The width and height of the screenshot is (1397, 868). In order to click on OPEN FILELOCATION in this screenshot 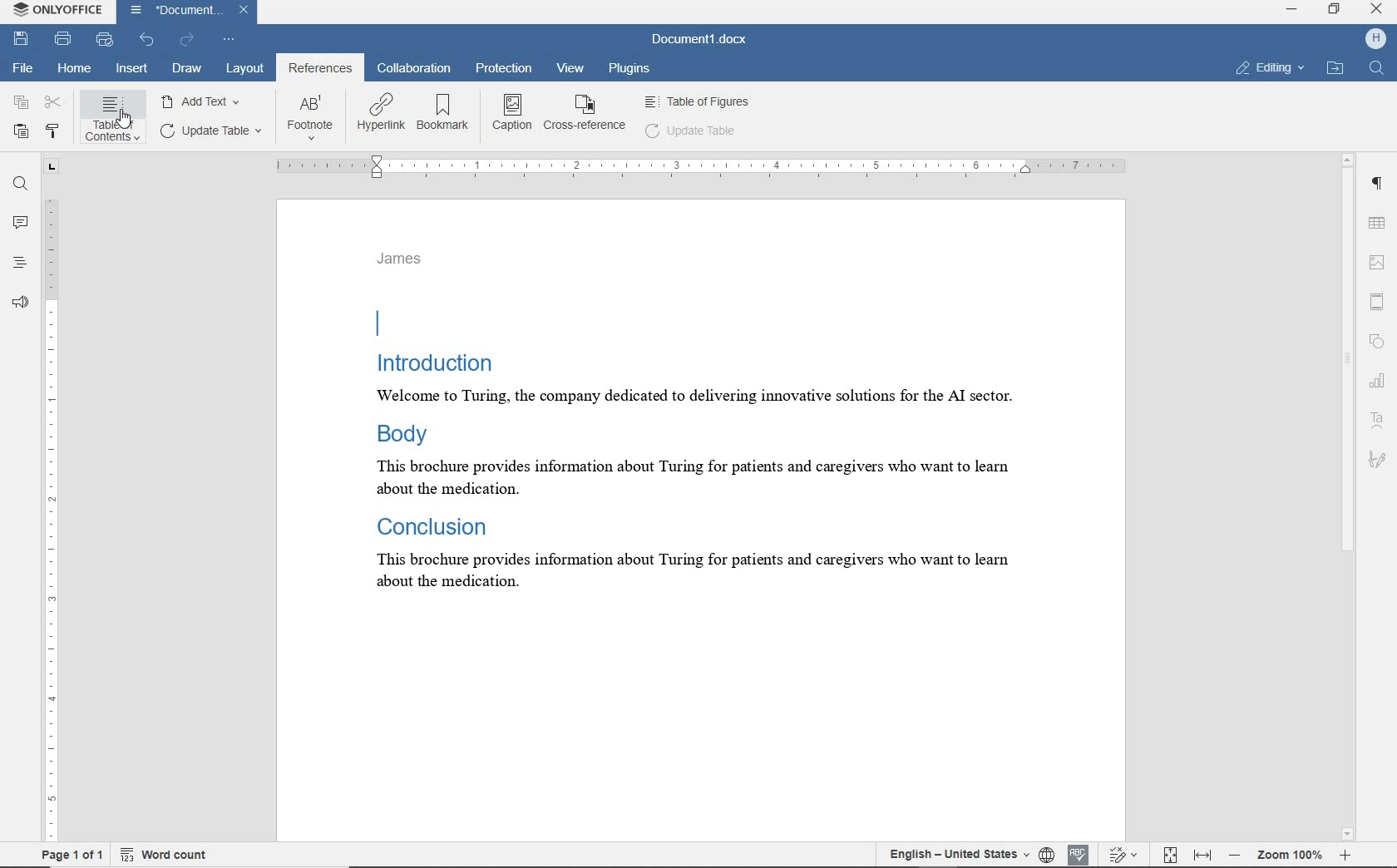, I will do `click(1333, 69)`.